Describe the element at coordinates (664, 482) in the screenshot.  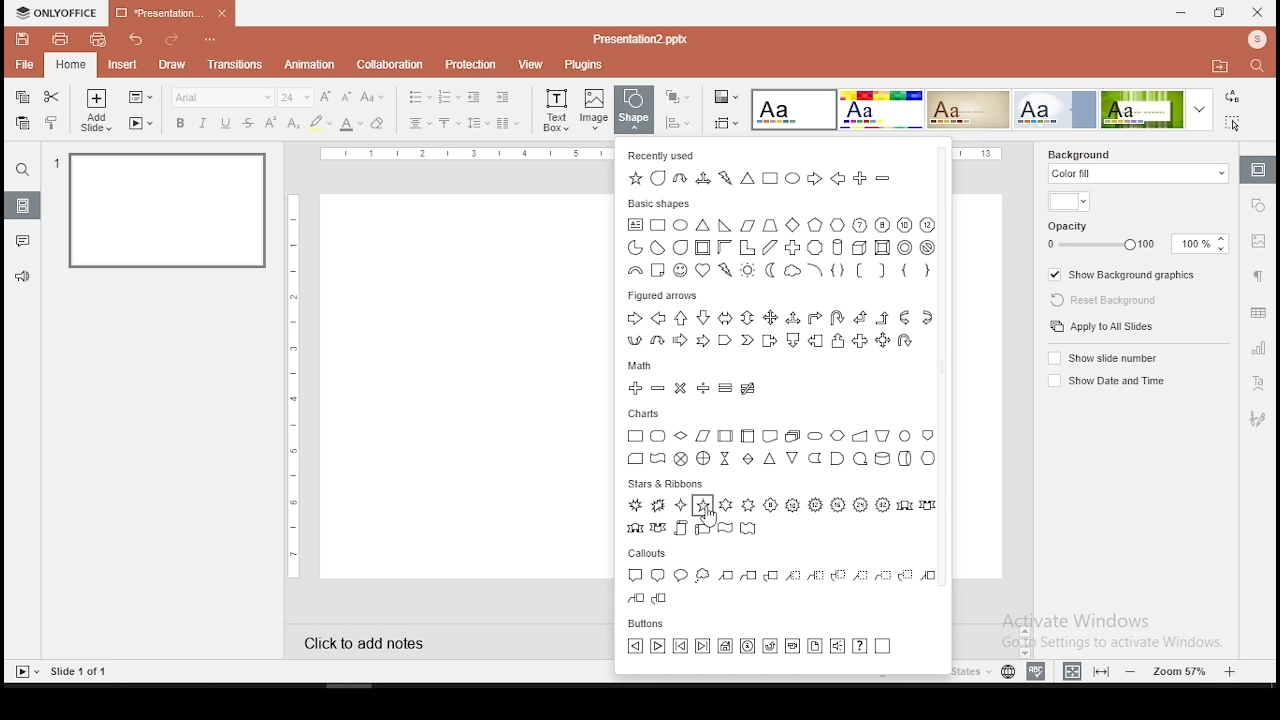
I see `stars and ribbons` at that location.